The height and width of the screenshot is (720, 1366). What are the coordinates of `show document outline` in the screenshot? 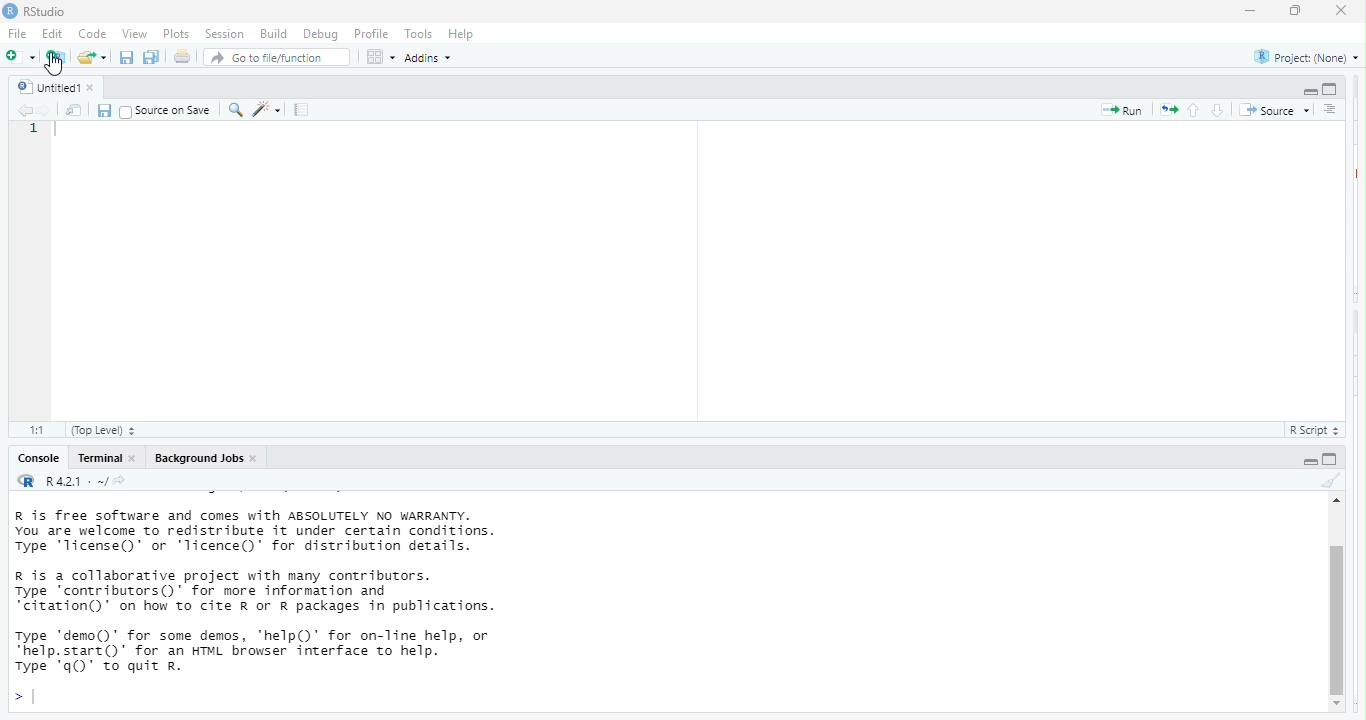 It's located at (1329, 109).